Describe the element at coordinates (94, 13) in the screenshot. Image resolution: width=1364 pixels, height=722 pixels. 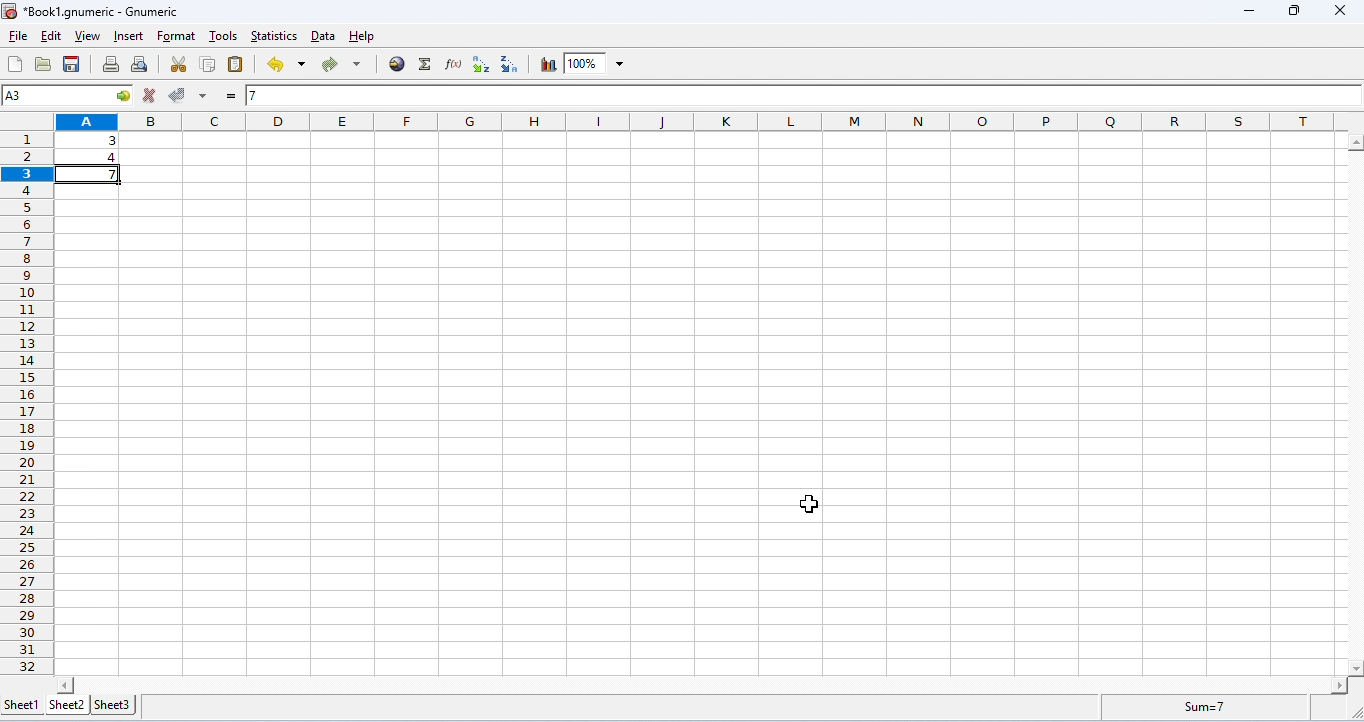
I see `Book1.gnumeric - Gnumeric` at that location.